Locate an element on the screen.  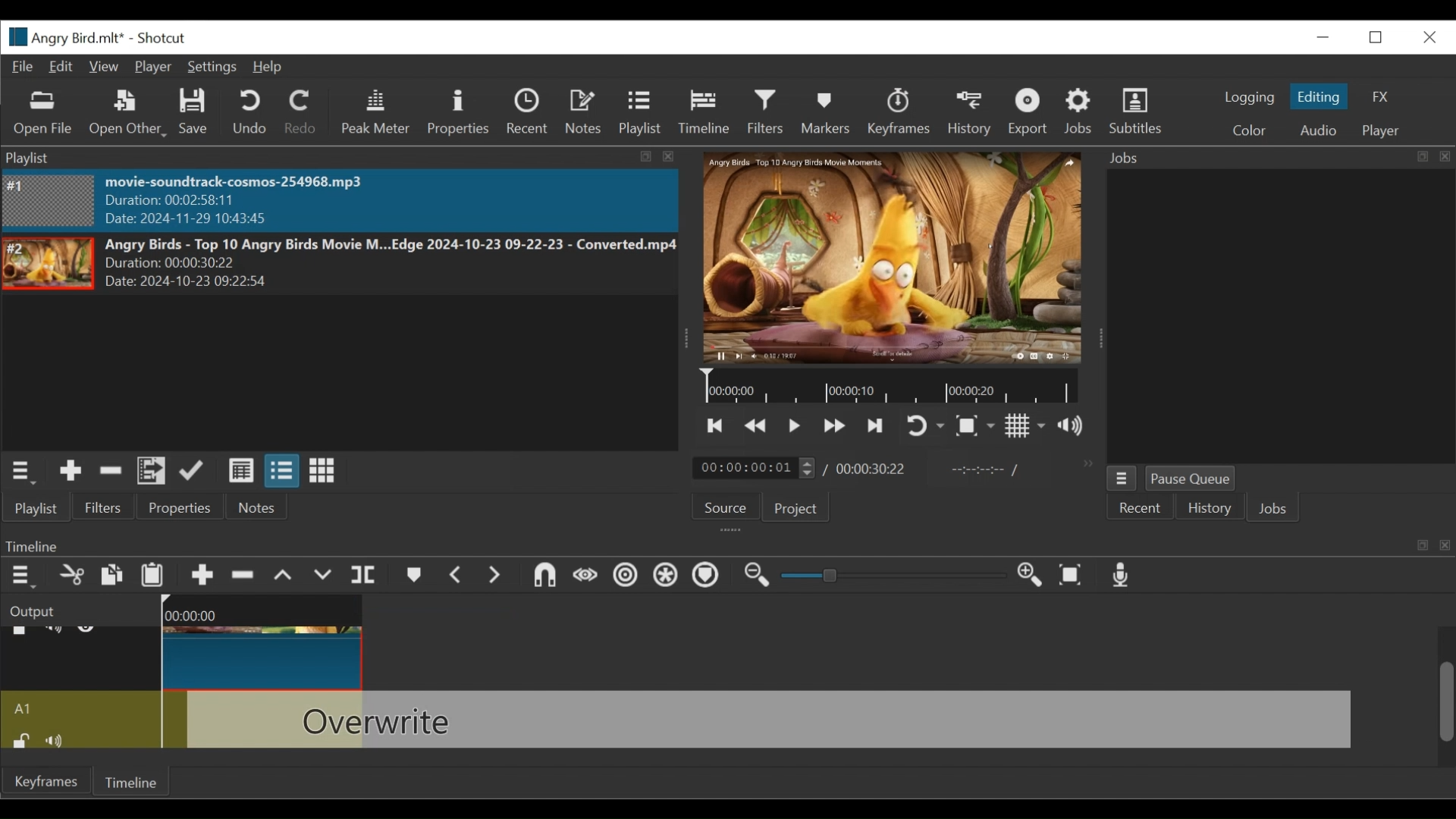
Timeline is located at coordinates (891, 387).